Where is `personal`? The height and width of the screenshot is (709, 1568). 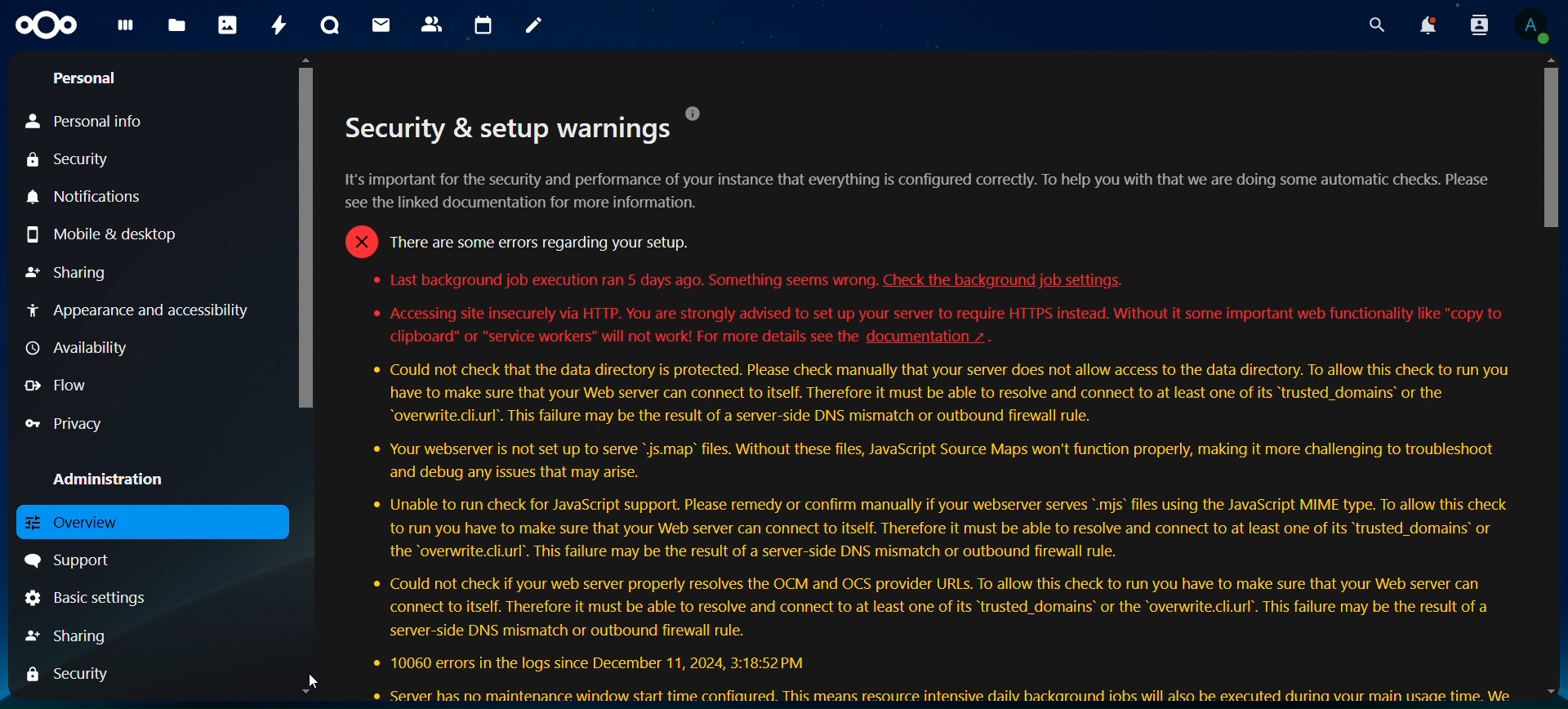
personal is located at coordinates (96, 75).